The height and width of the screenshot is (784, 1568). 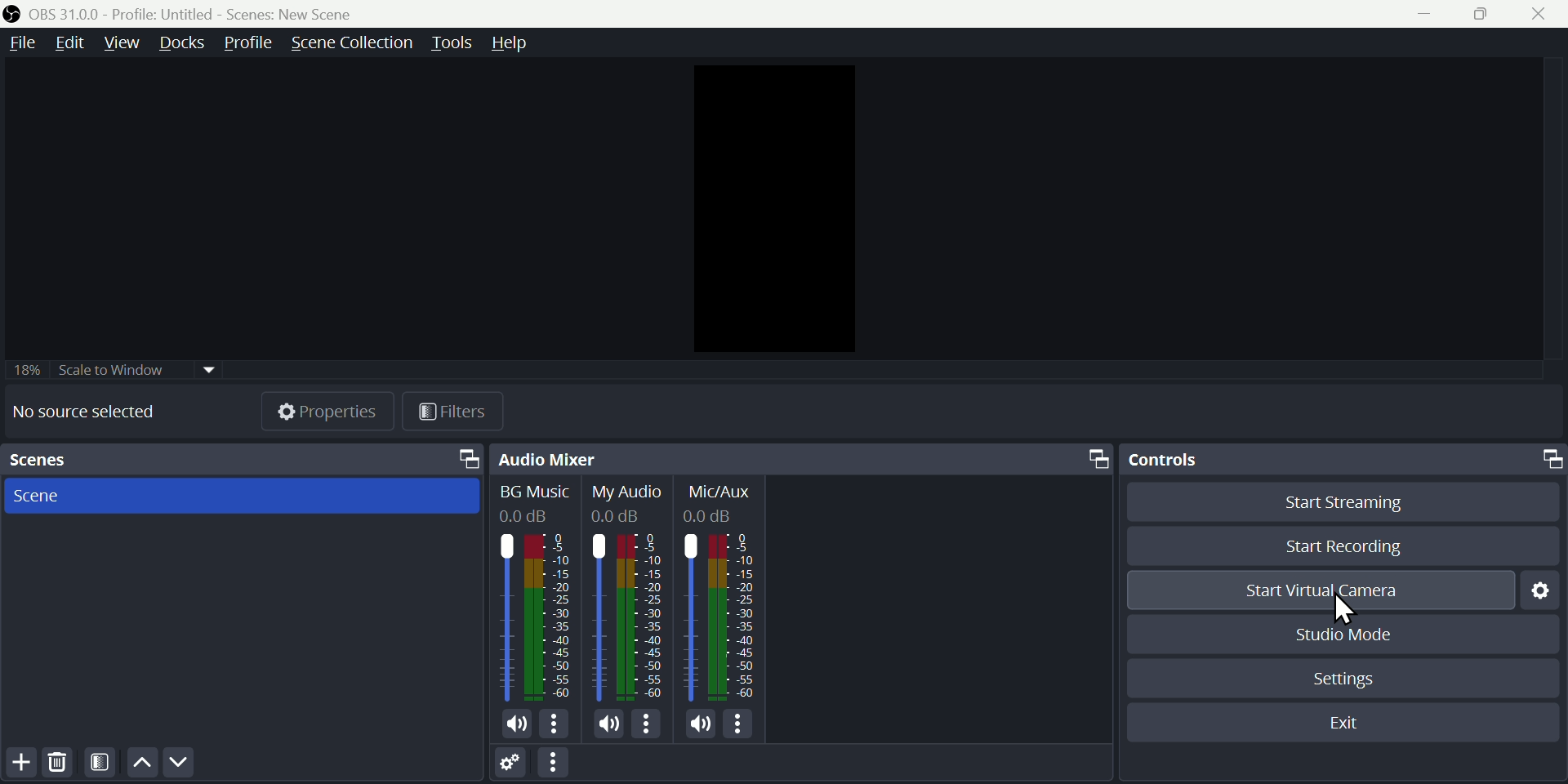 I want to click on Close, so click(x=1539, y=16).